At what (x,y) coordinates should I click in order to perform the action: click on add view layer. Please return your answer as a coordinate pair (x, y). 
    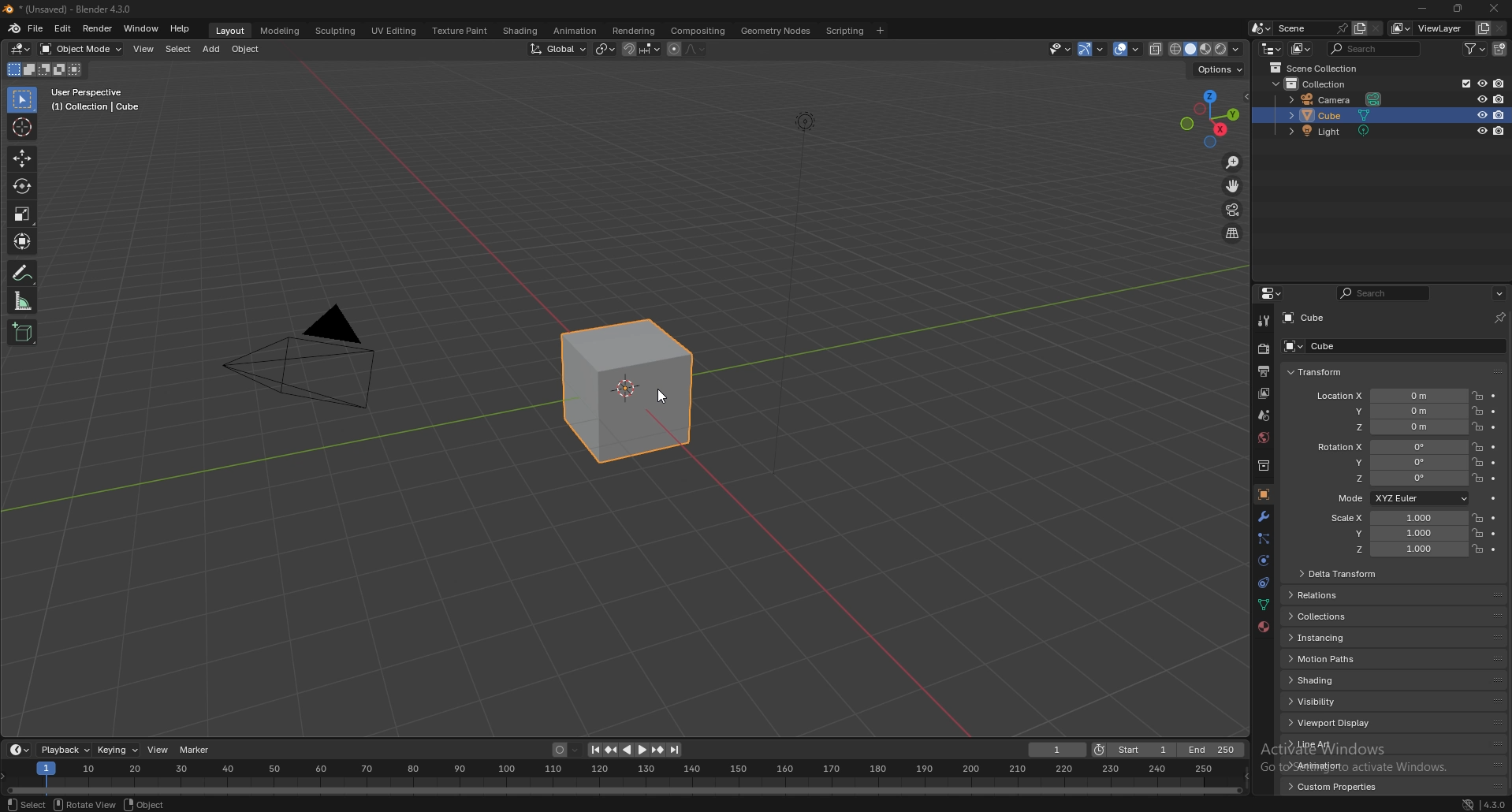
    Looking at the image, I should click on (1484, 28).